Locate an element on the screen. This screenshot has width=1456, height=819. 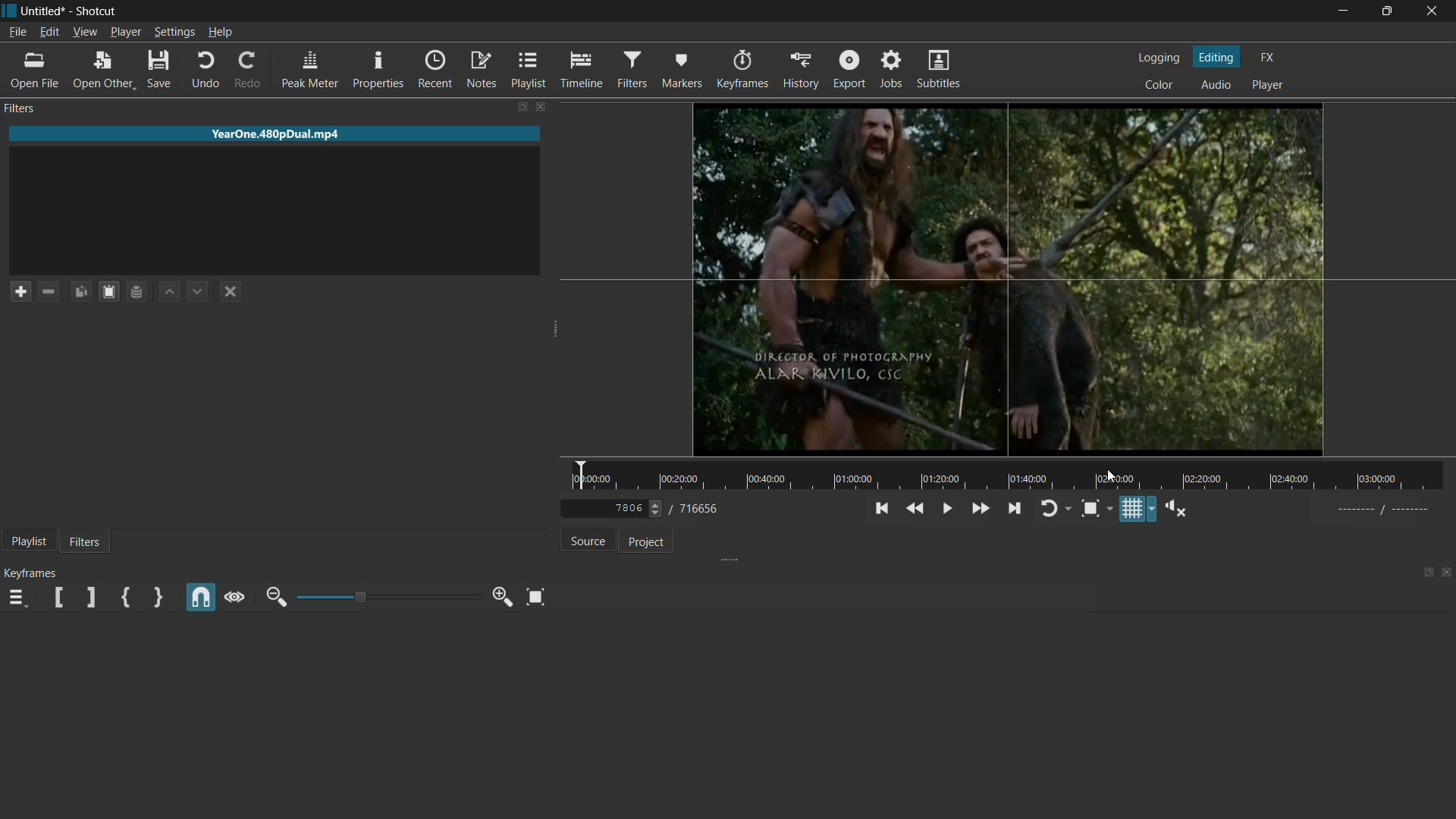
adjustment bar is located at coordinates (381, 597).